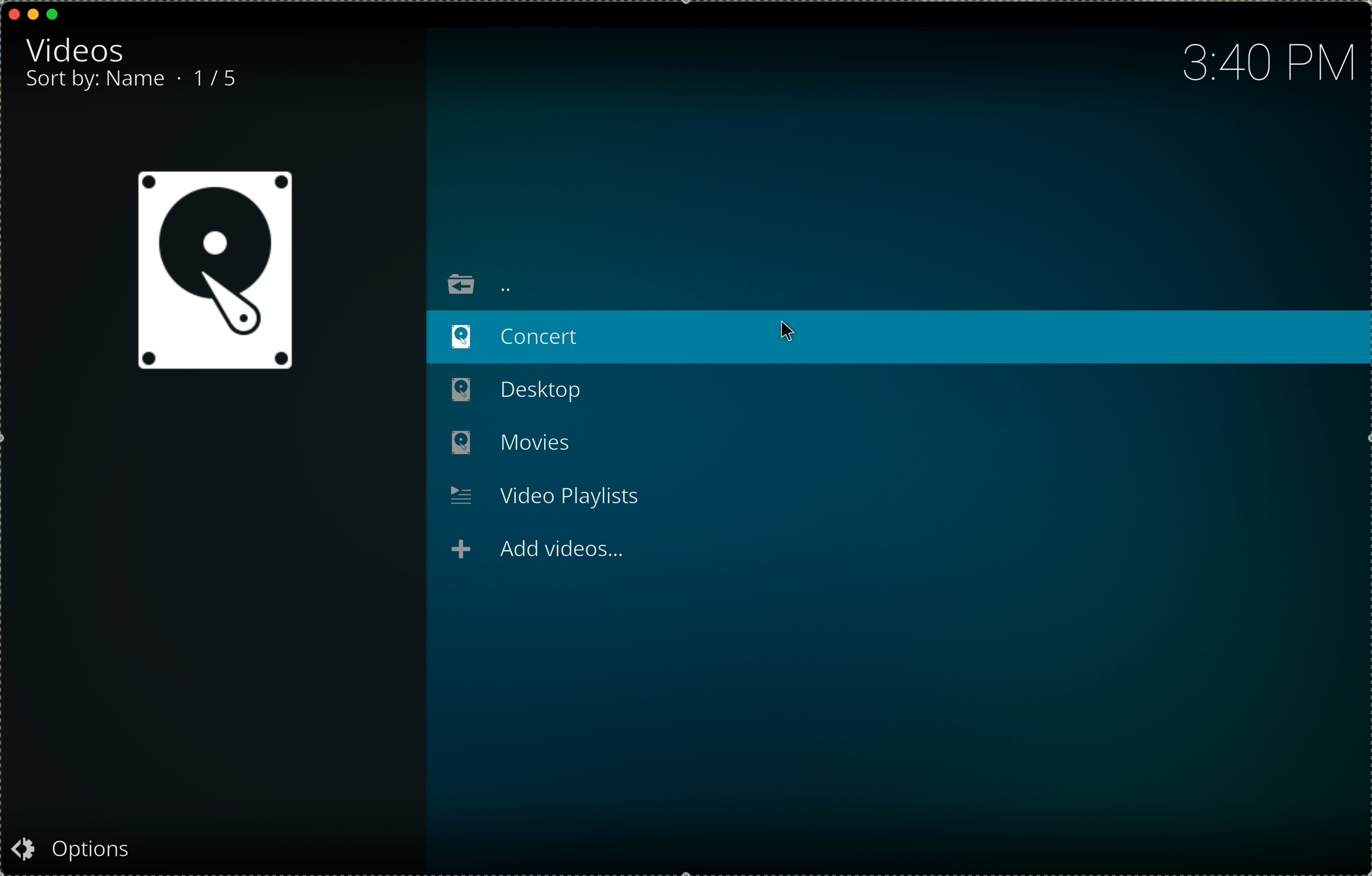  What do you see at coordinates (215, 272) in the screenshot?
I see `videos icon` at bounding box center [215, 272].